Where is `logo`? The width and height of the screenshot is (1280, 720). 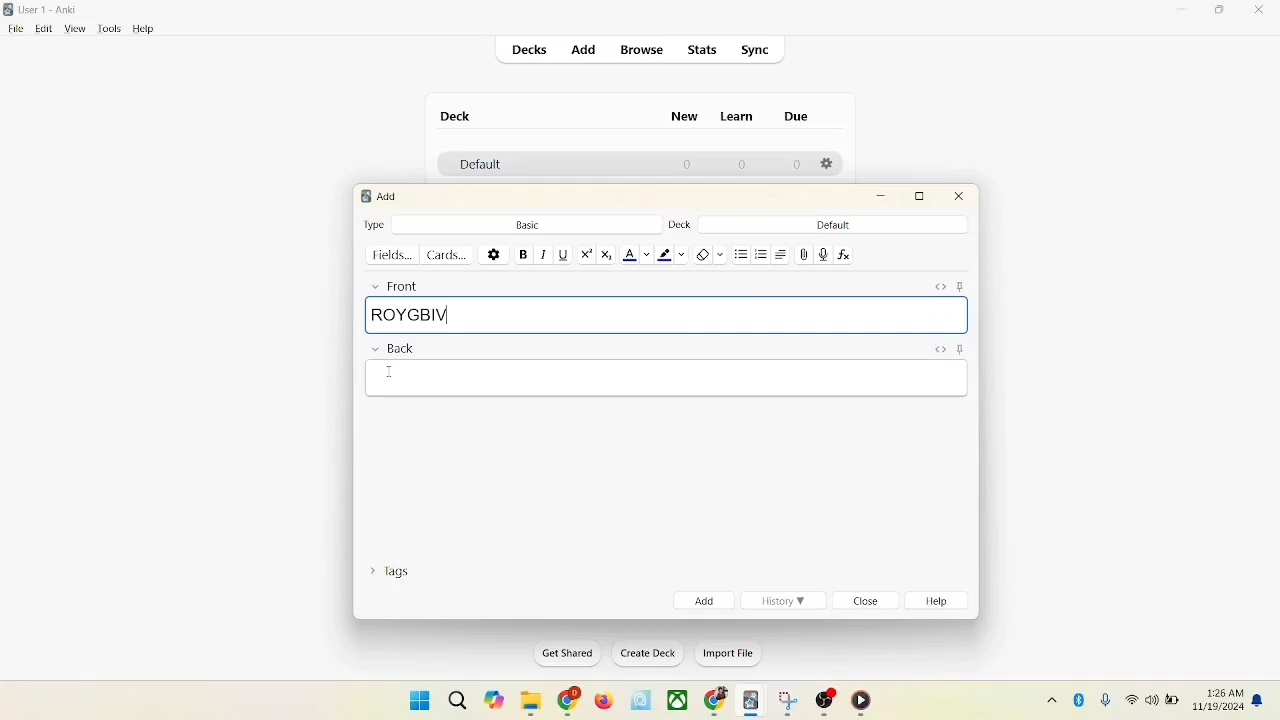 logo is located at coordinates (10, 9).